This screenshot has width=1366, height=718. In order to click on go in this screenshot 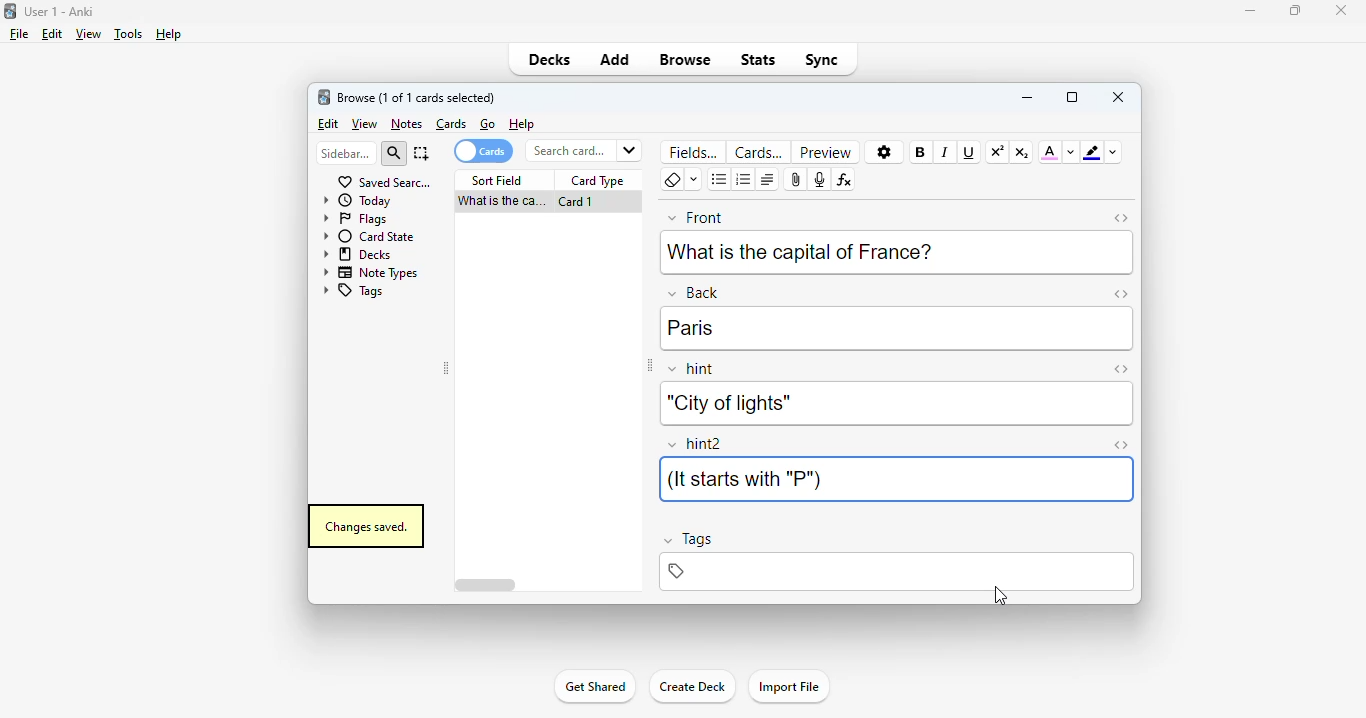, I will do `click(488, 124)`.